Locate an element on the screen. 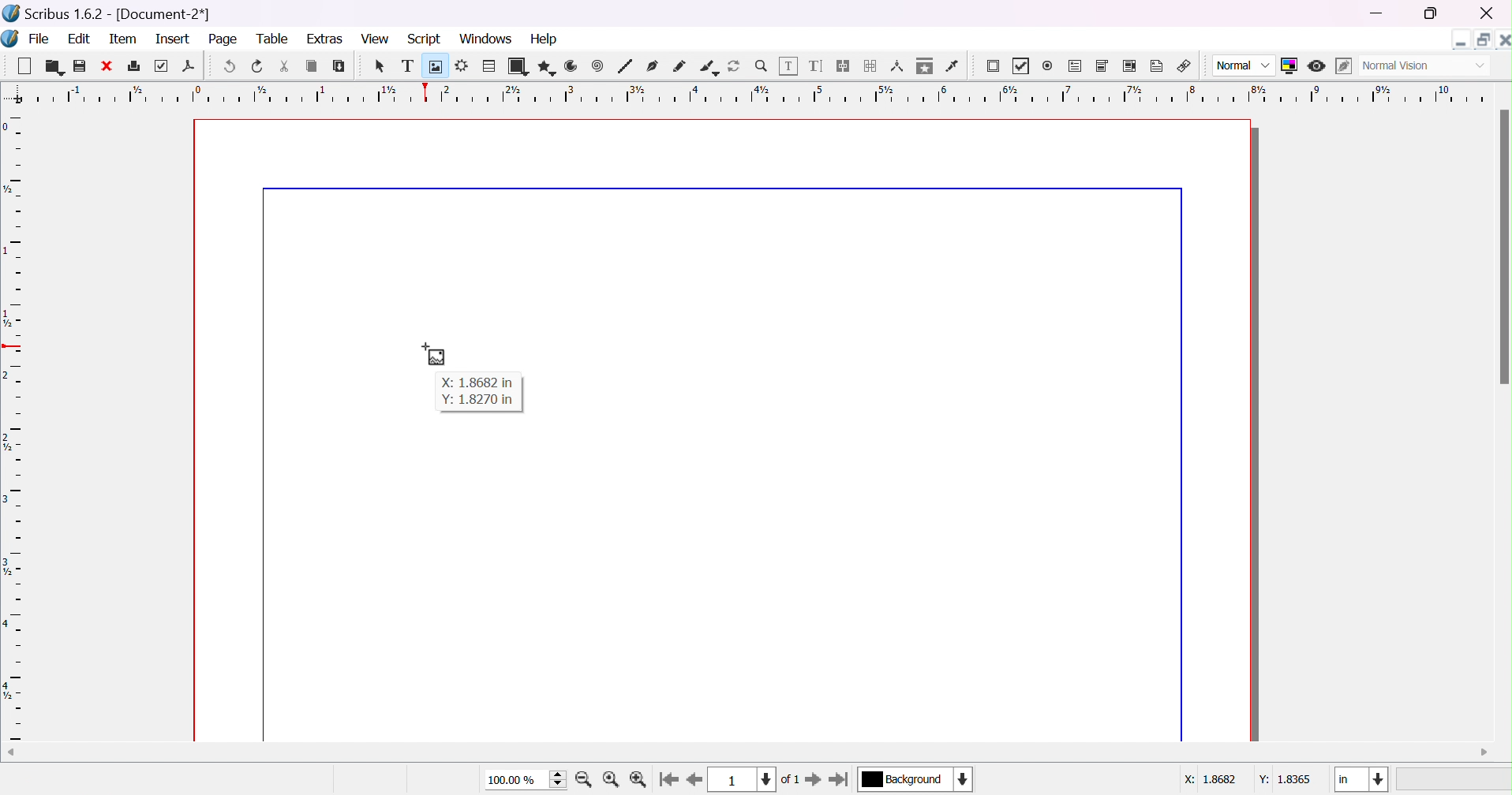 The width and height of the screenshot is (1512, 795). preview mode is located at coordinates (1319, 66).